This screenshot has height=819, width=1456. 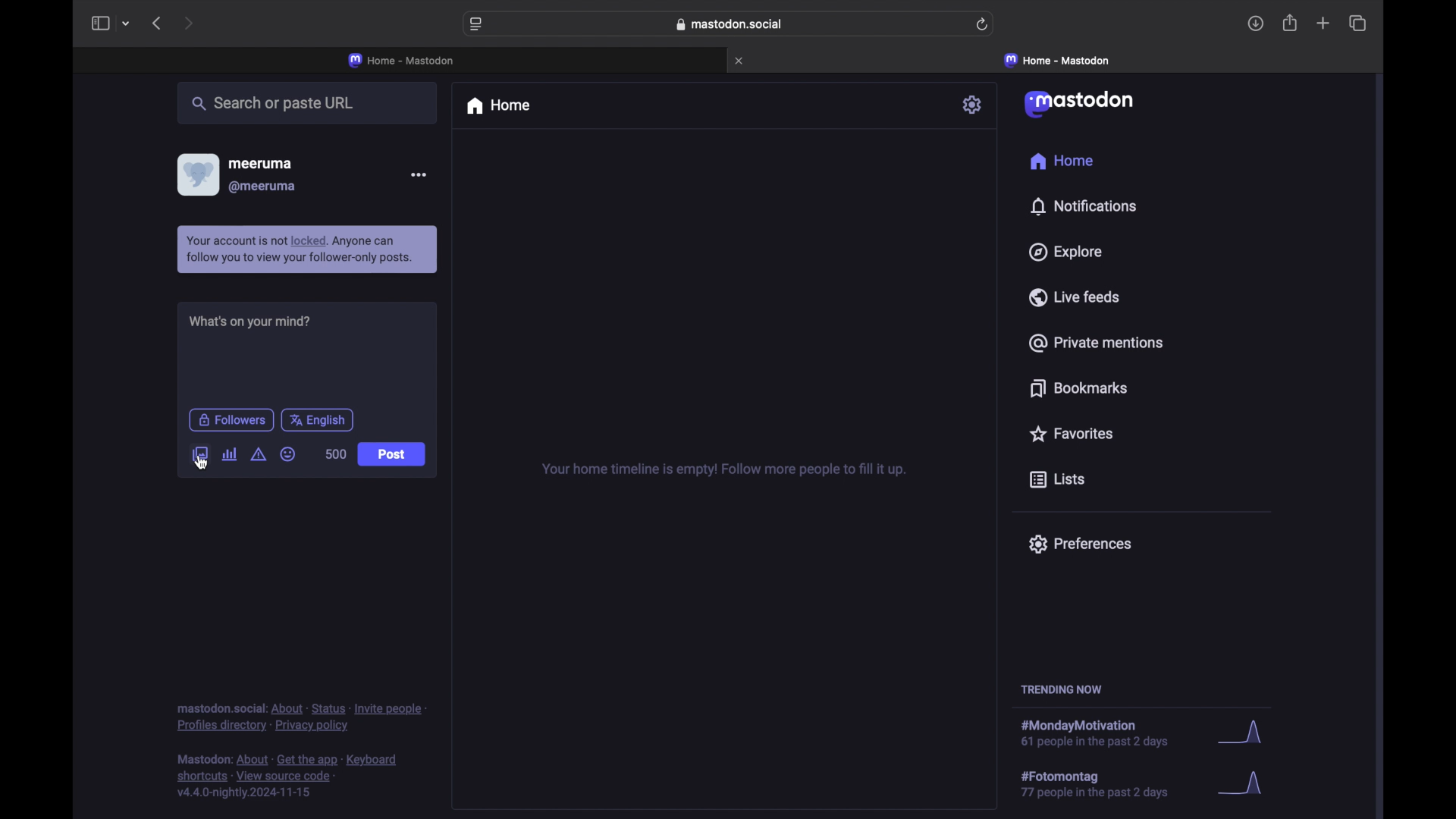 What do you see at coordinates (1245, 786) in the screenshot?
I see `graph` at bounding box center [1245, 786].